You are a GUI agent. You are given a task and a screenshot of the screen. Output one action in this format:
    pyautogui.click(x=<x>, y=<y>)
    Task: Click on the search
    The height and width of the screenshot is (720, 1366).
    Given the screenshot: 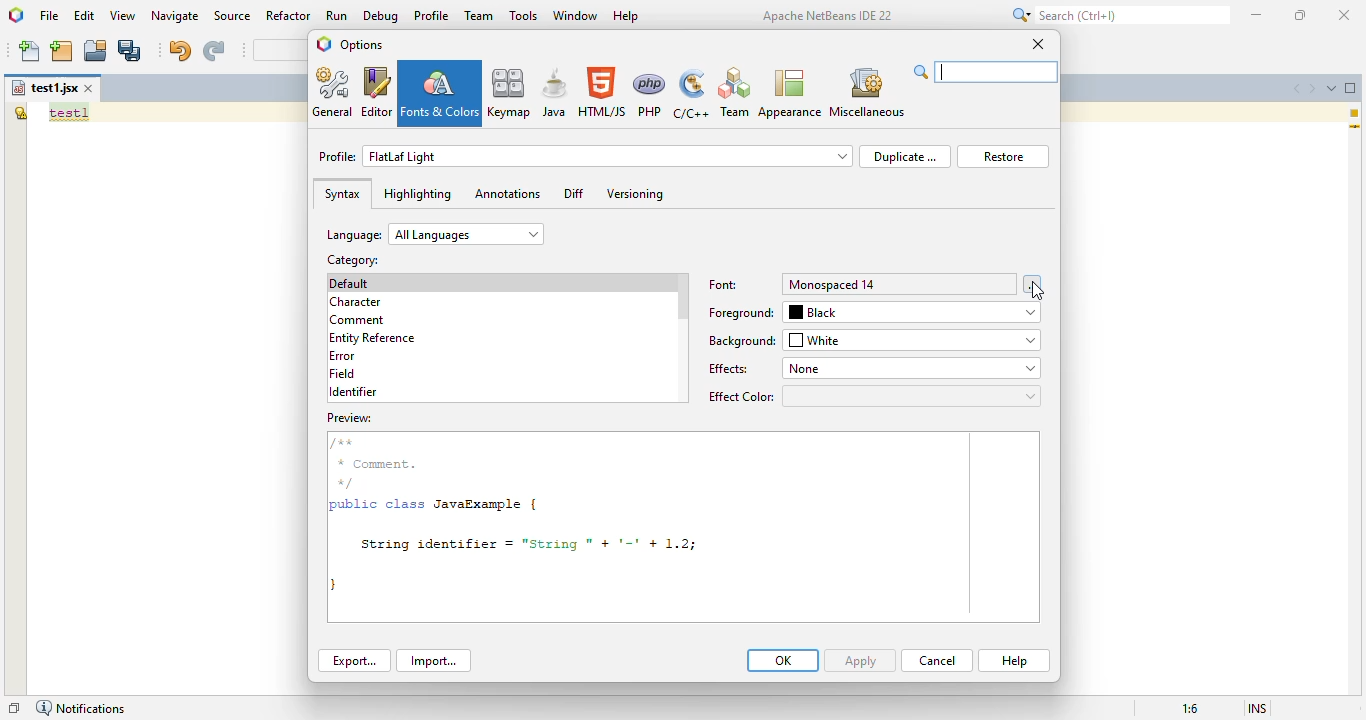 What is the action you would take?
    pyautogui.click(x=1117, y=15)
    